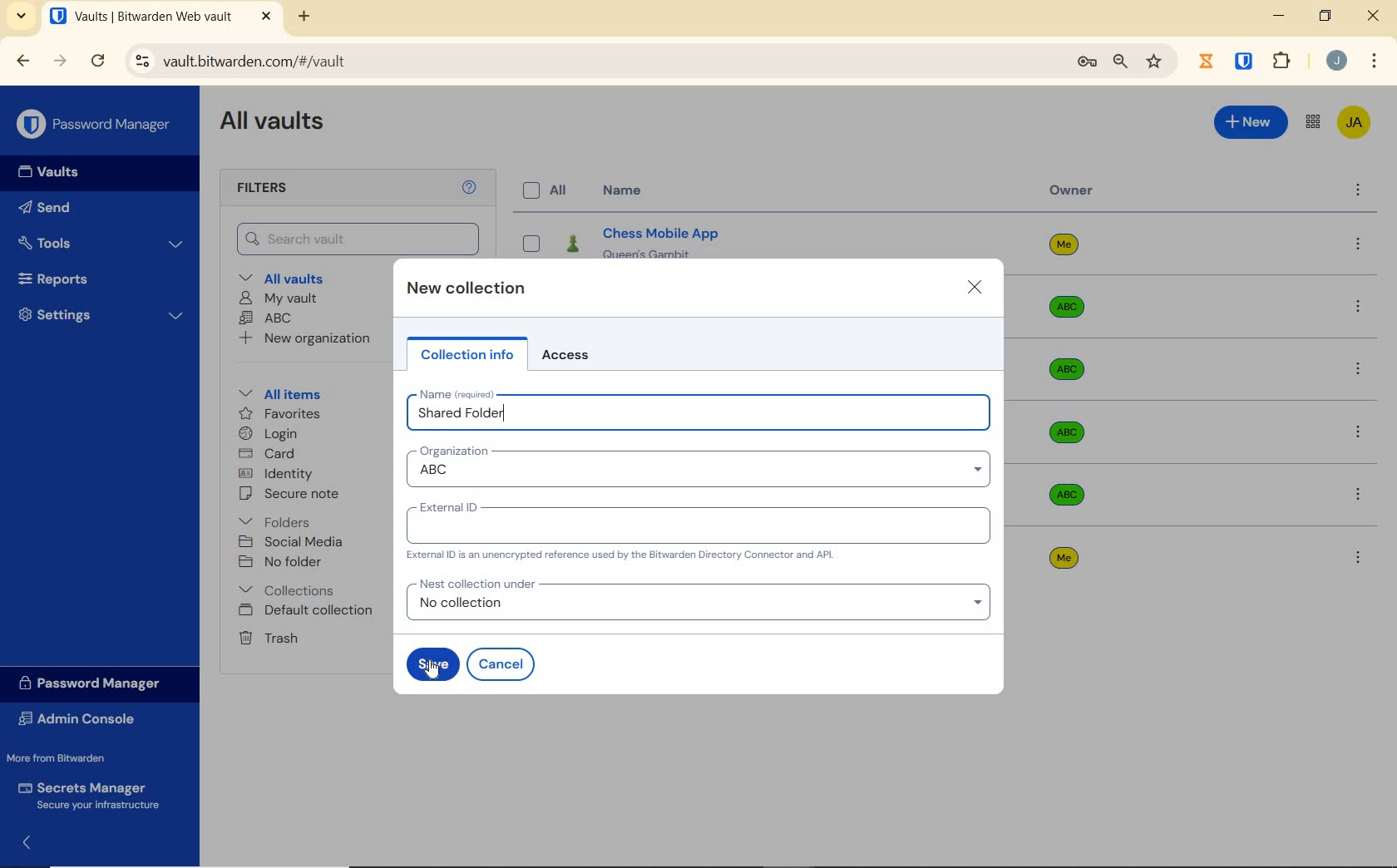  Describe the element at coordinates (1375, 61) in the screenshot. I see `customize Google chrome` at that location.